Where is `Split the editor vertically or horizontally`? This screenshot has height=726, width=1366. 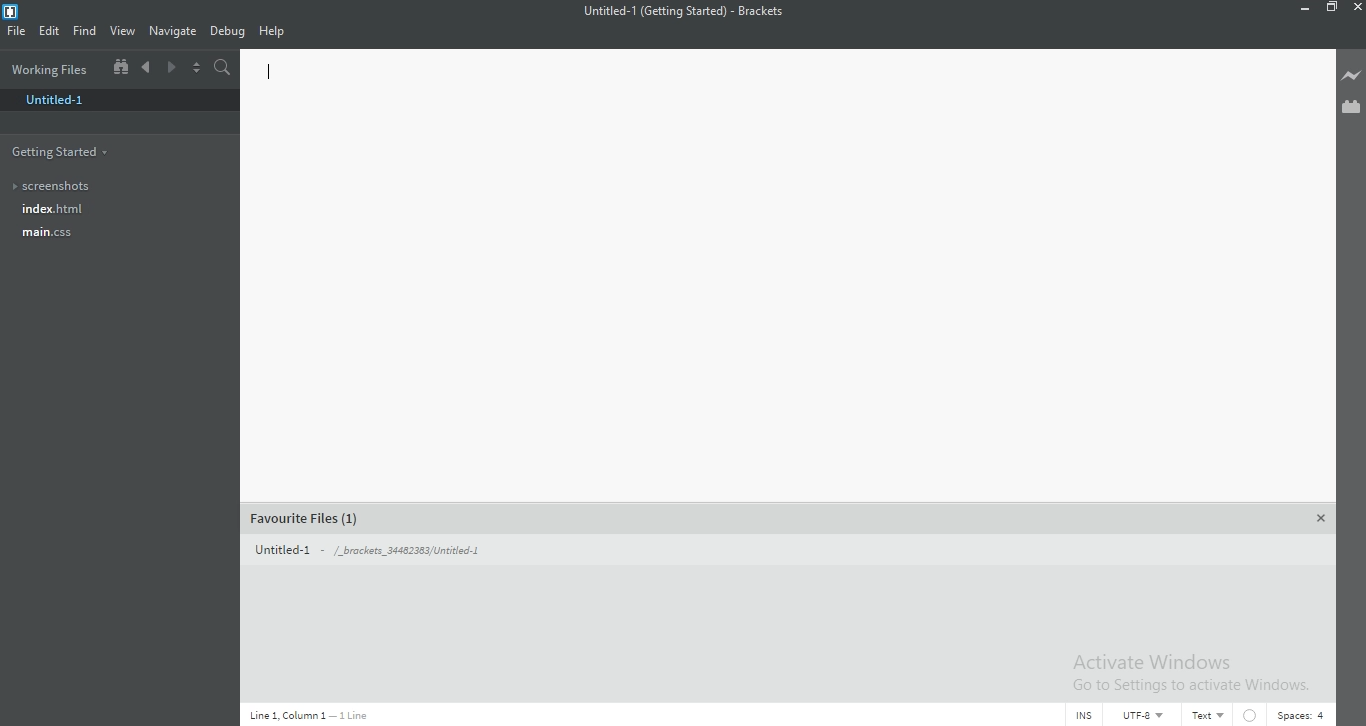
Split the editor vertically or horizontally is located at coordinates (196, 68).